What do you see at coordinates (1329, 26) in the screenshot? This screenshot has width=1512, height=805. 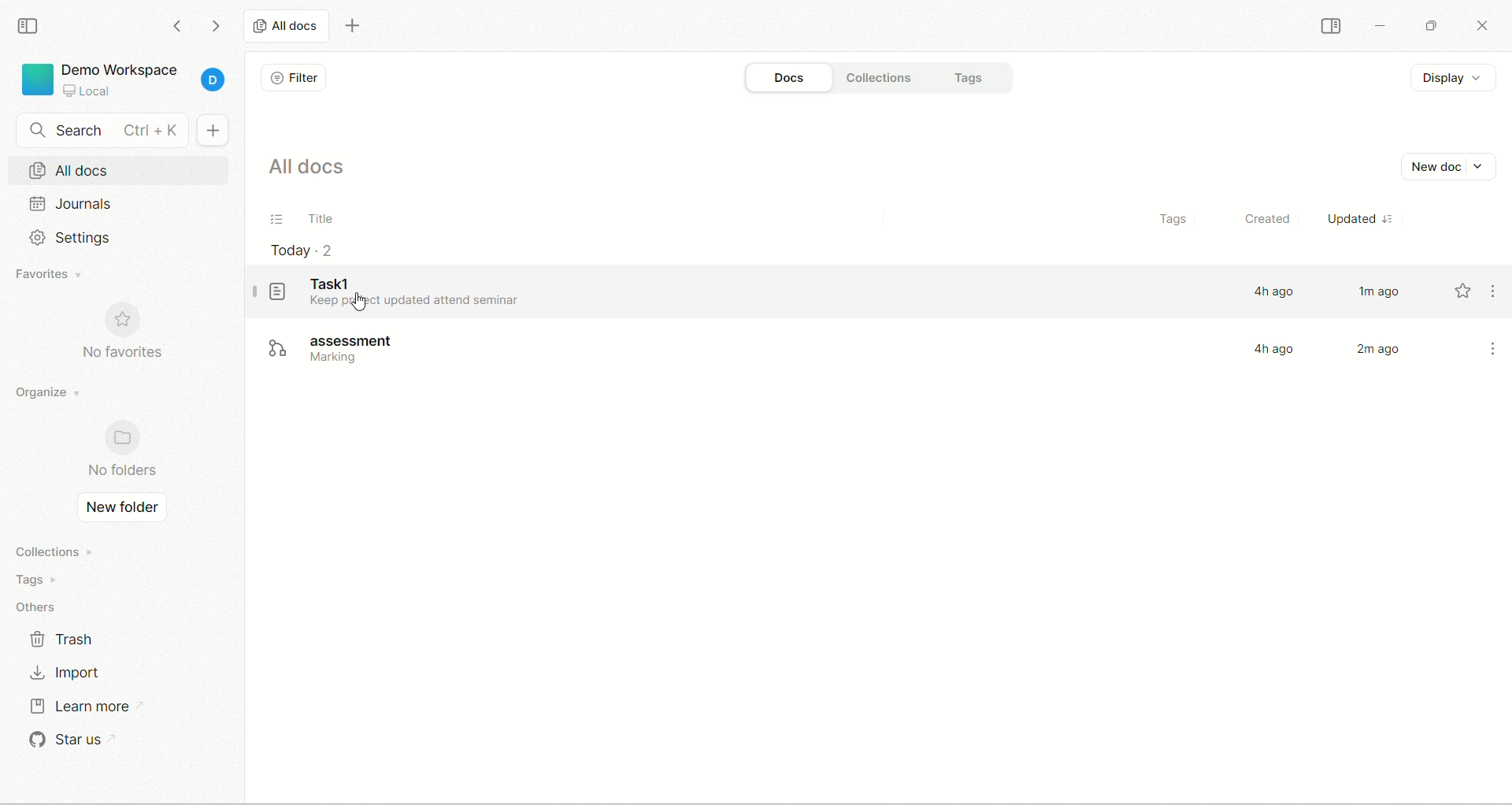 I see `collapse sidebar` at bounding box center [1329, 26].